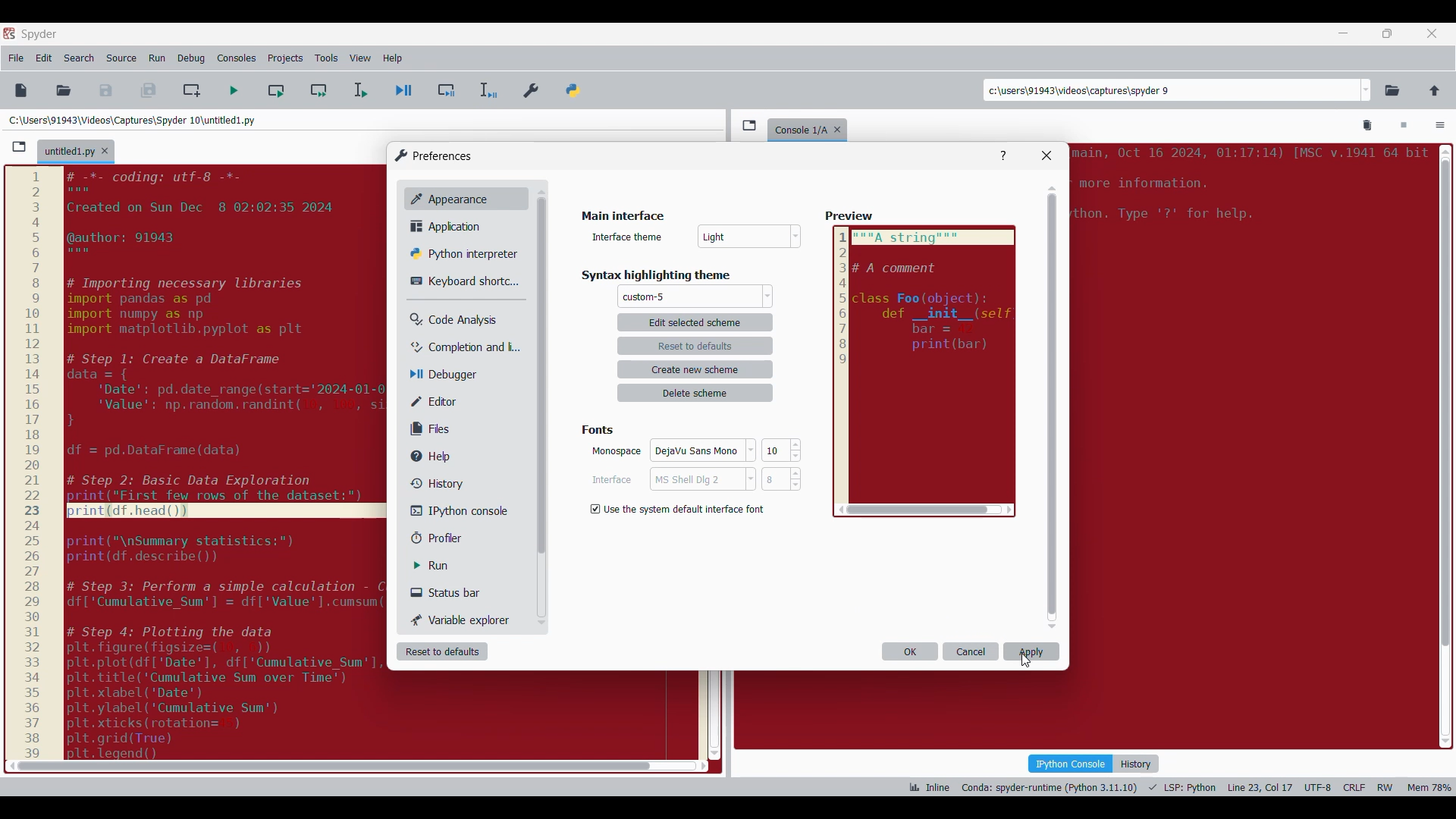  I want to click on scale, so click(32, 463).